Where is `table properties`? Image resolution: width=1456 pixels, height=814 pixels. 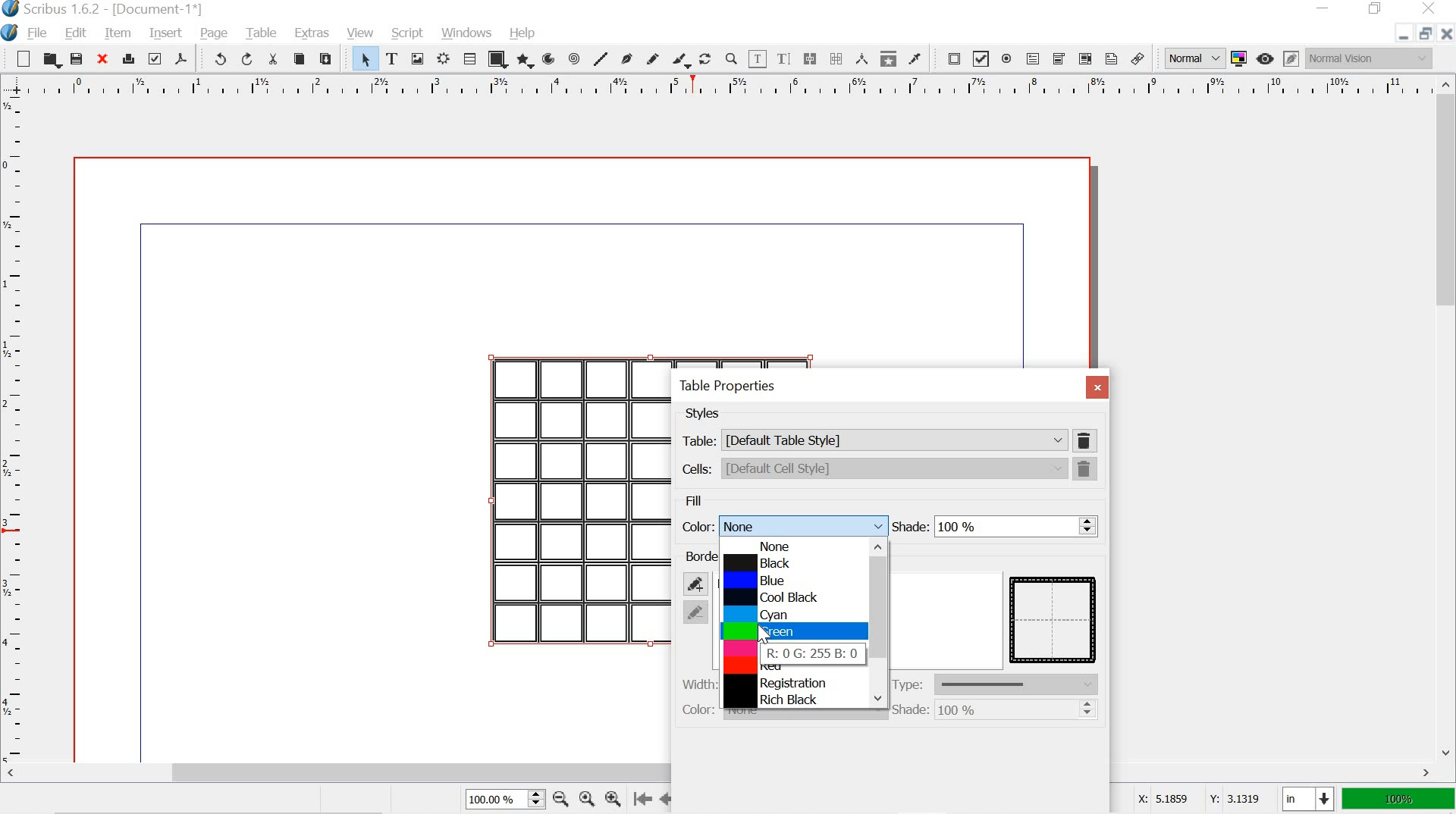
table properties is located at coordinates (725, 387).